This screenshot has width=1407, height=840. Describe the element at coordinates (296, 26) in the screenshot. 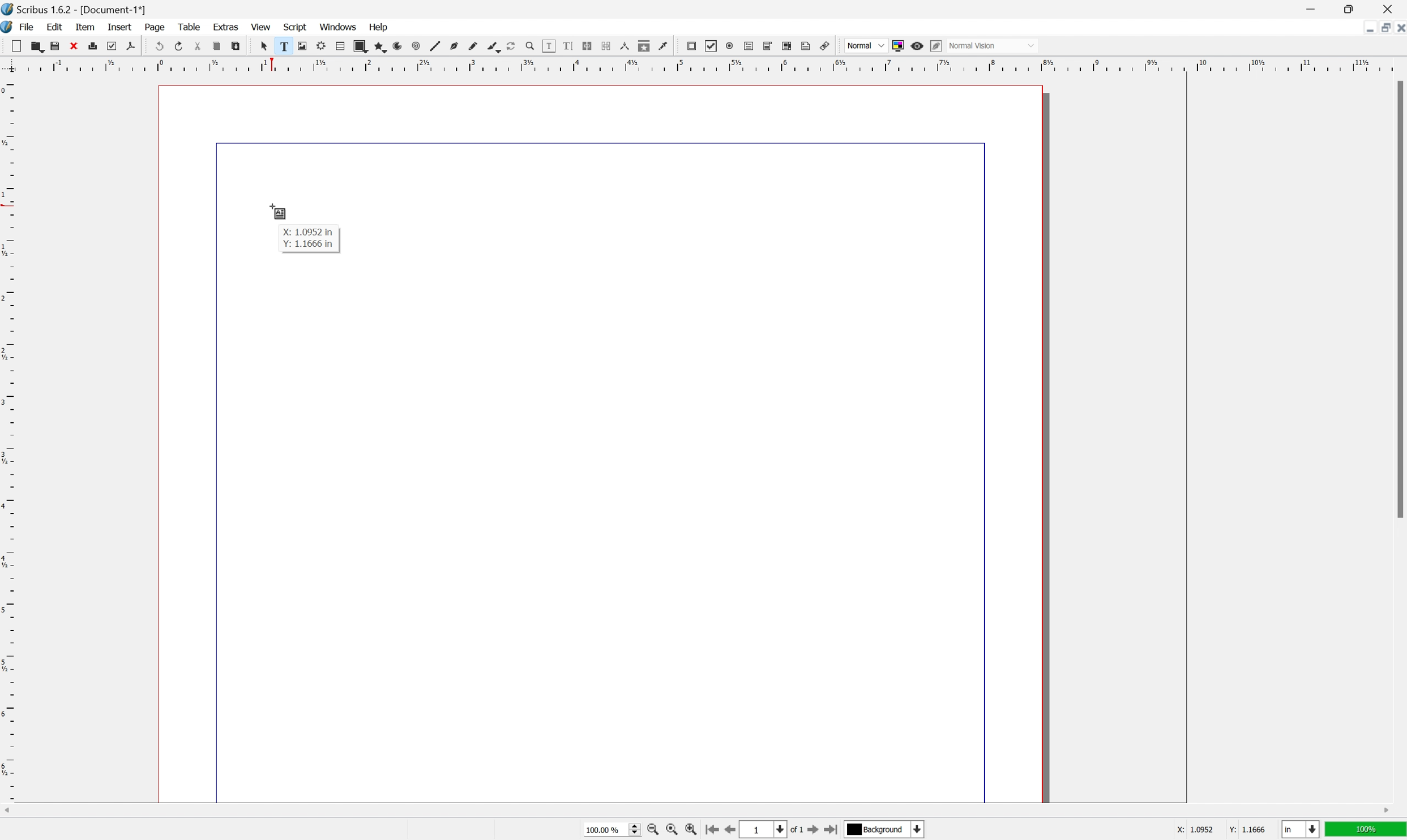

I see `script` at that location.